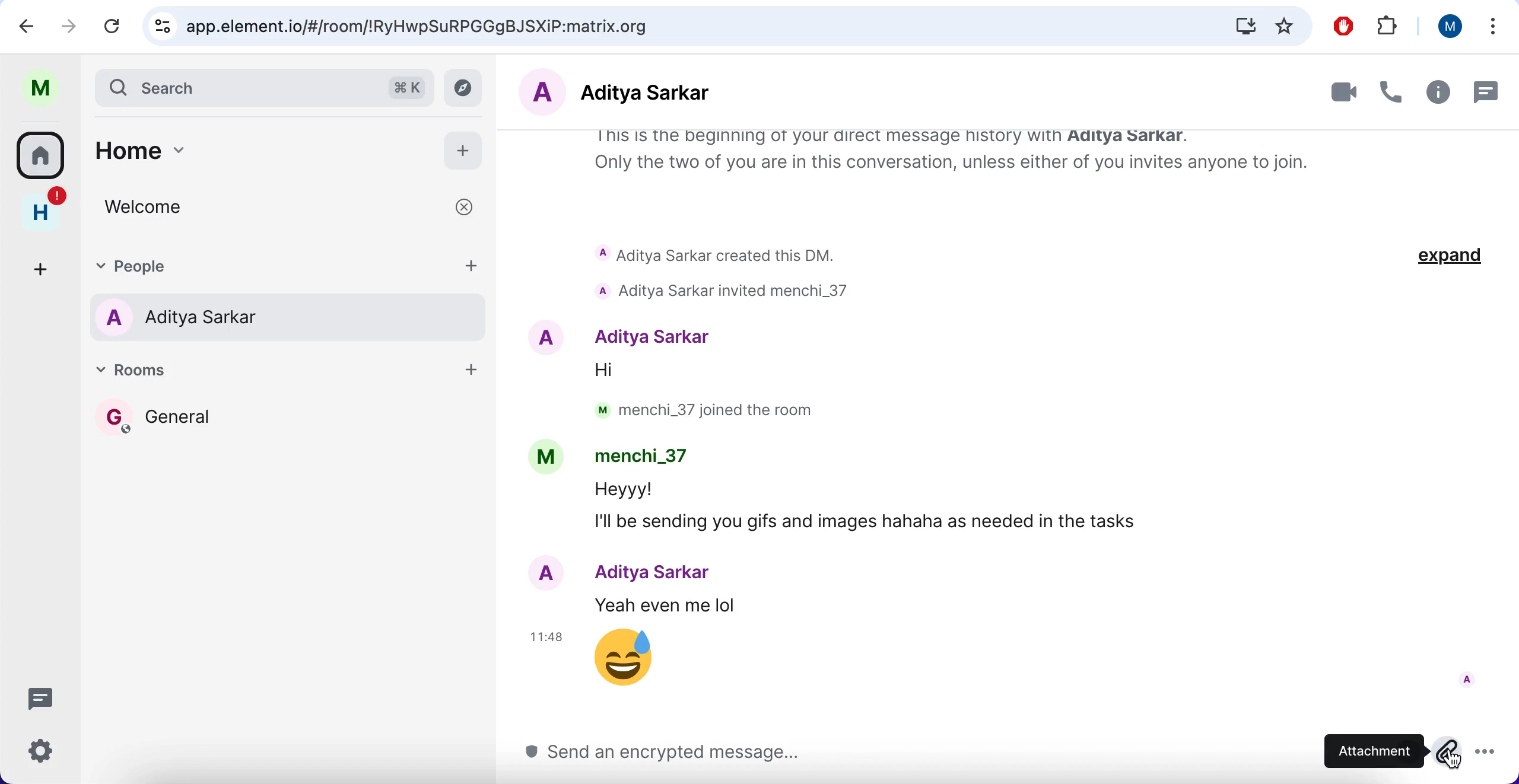 The height and width of the screenshot is (784, 1519). I want to click on call, so click(1385, 96).